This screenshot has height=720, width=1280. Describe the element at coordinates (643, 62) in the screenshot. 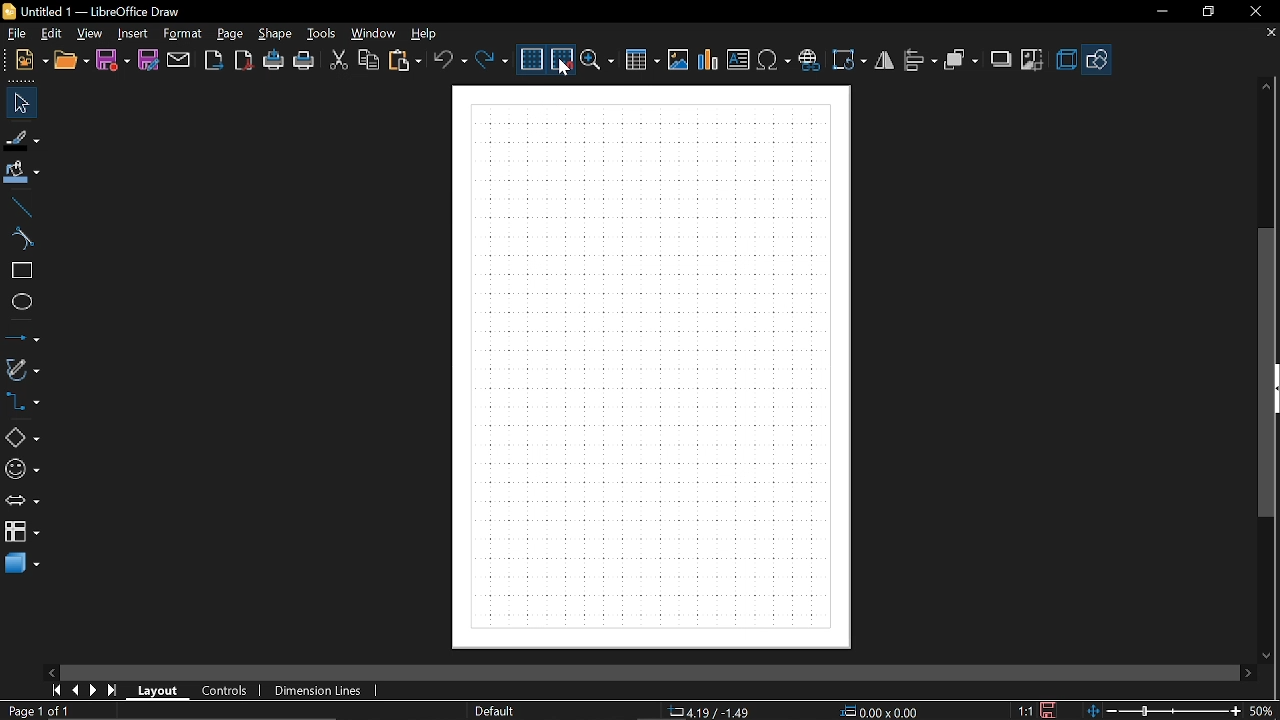

I see `table` at that location.